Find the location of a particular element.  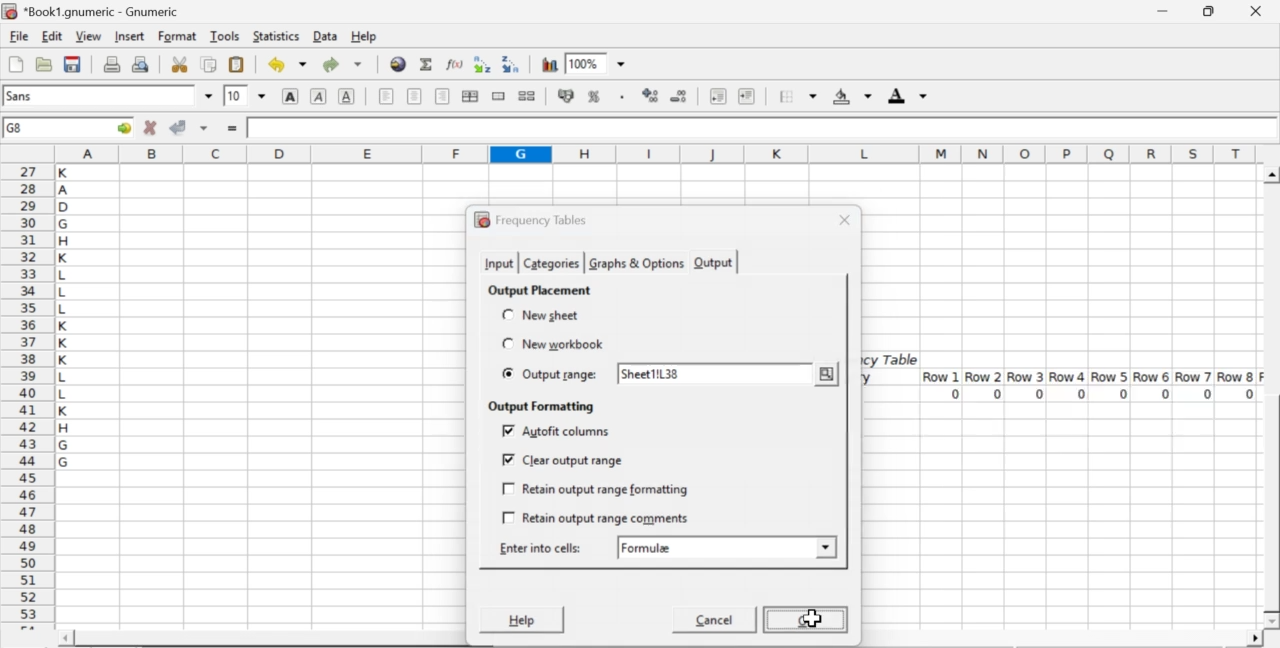

Sort the selected region in ascending order based on the first column selected is located at coordinates (485, 64).